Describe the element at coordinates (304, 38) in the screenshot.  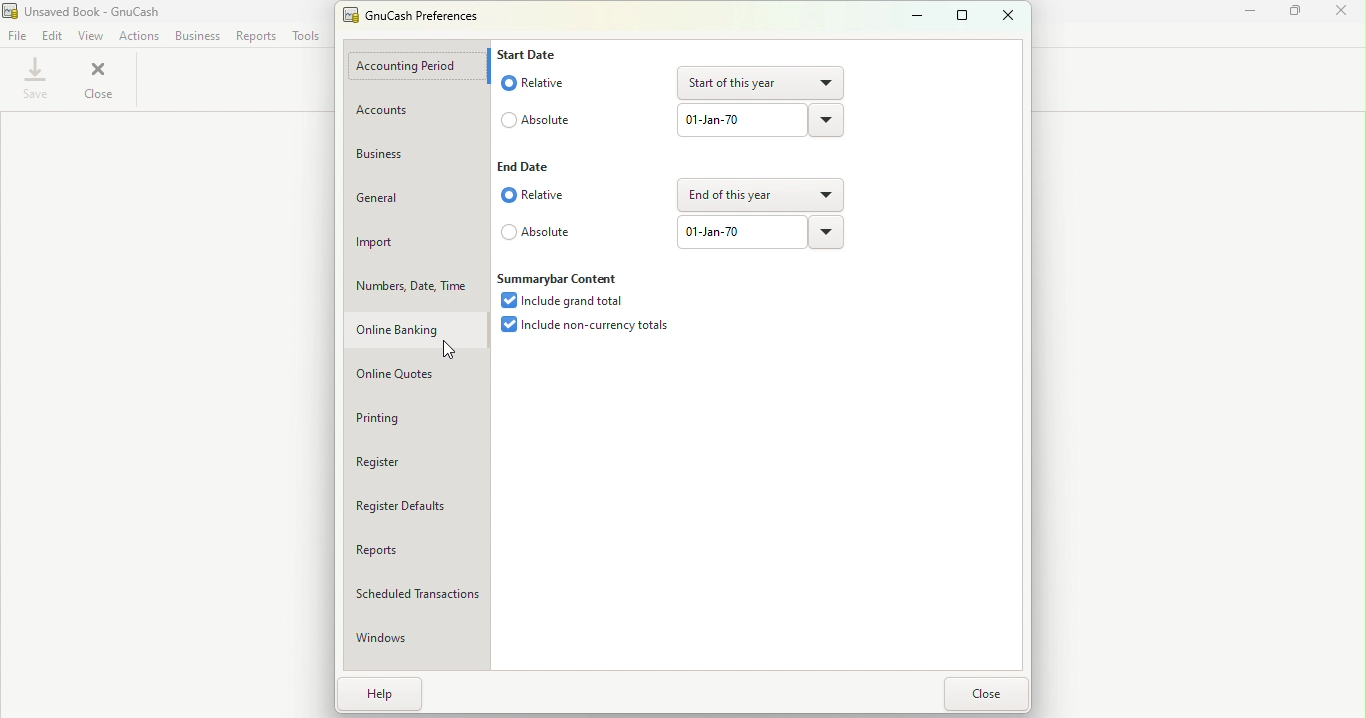
I see `tools` at that location.